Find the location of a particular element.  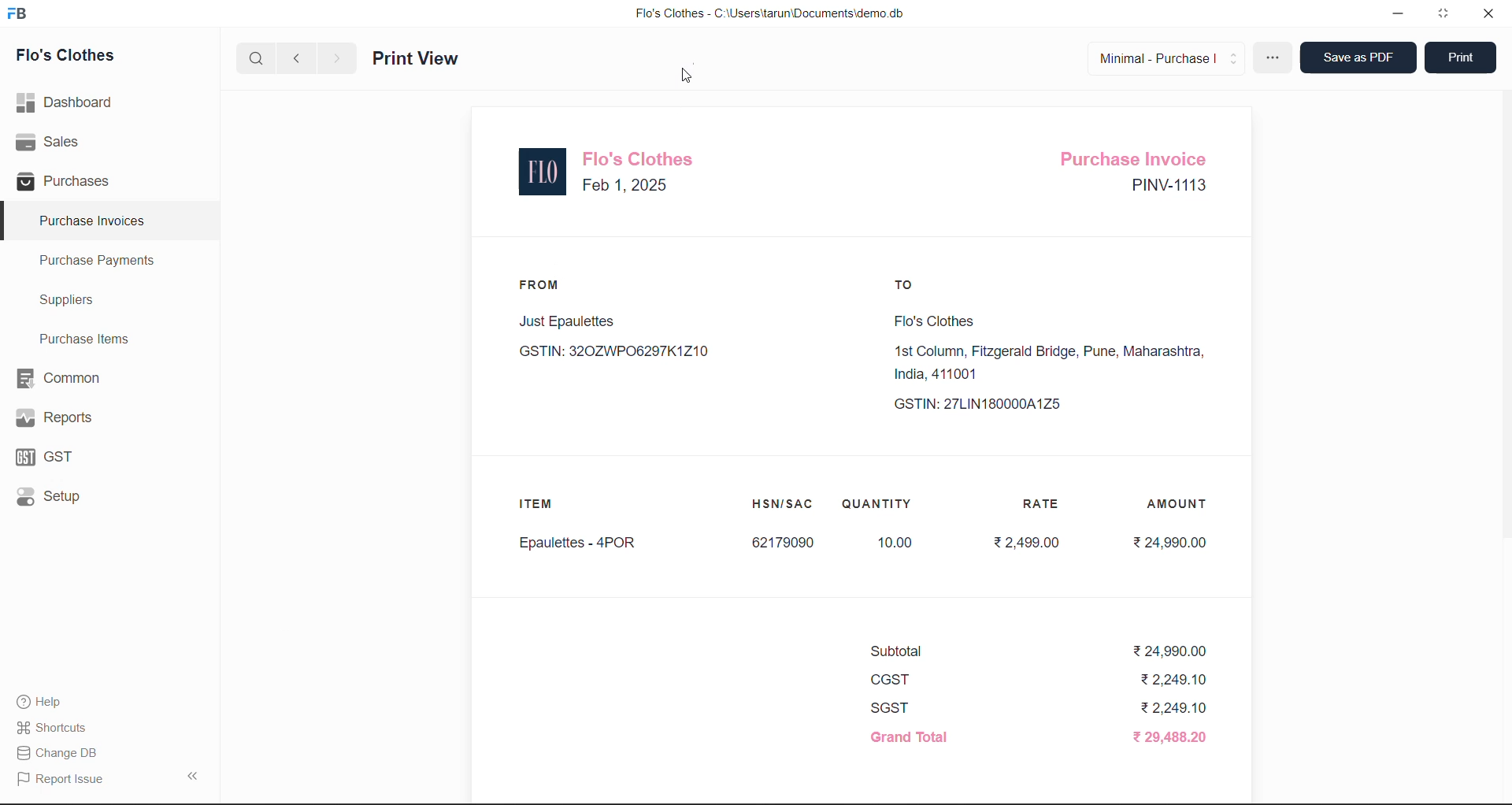

Flo's Clothes1st Column, Fitzgerald Bridge, Pune, Maharashtra,India, 411001 GSTIN: 27LIN180000A1Z5 is located at coordinates (1039, 362).